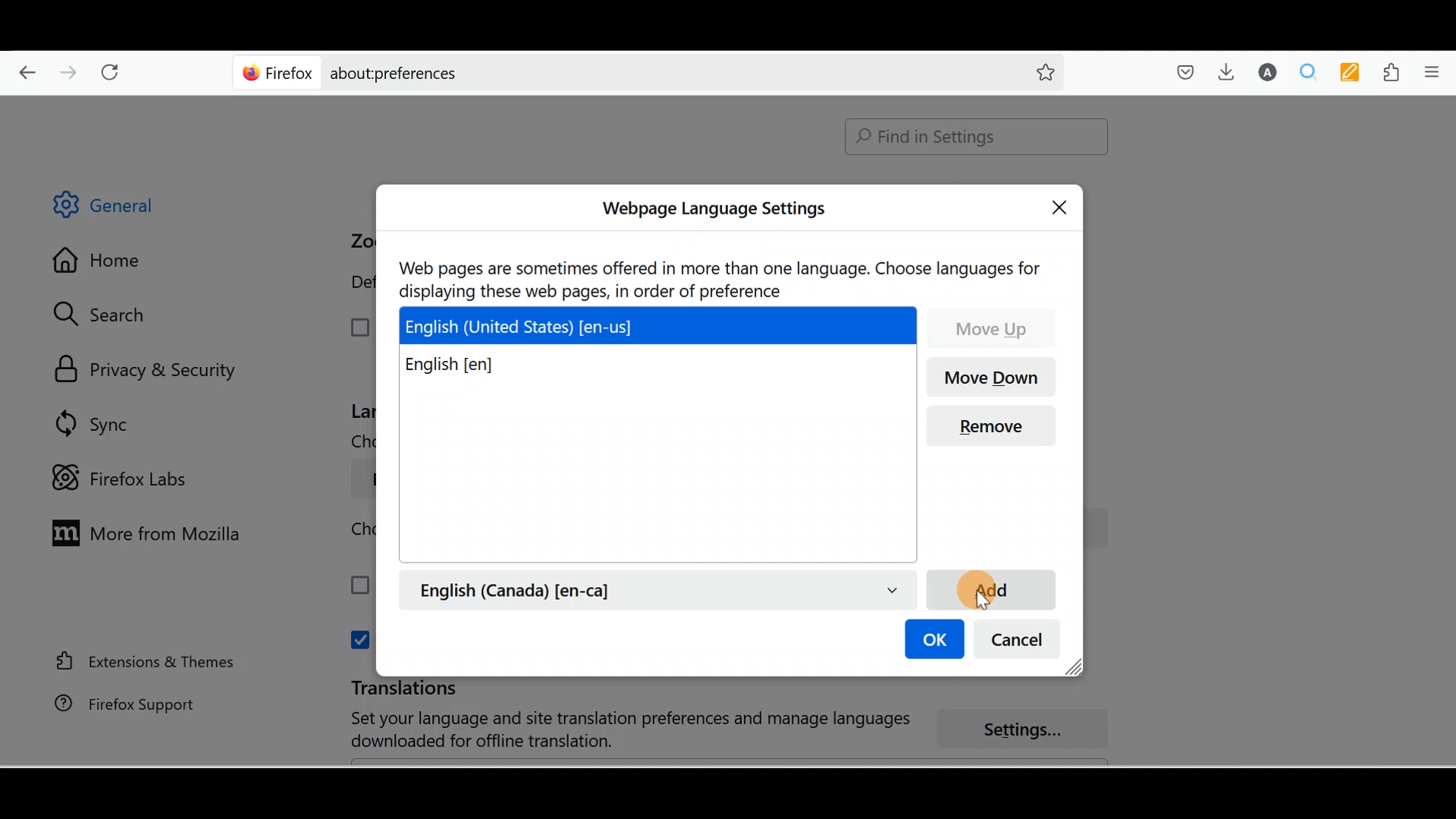 The height and width of the screenshot is (819, 1456). What do you see at coordinates (152, 371) in the screenshot?
I see `Privacy & security` at bounding box center [152, 371].